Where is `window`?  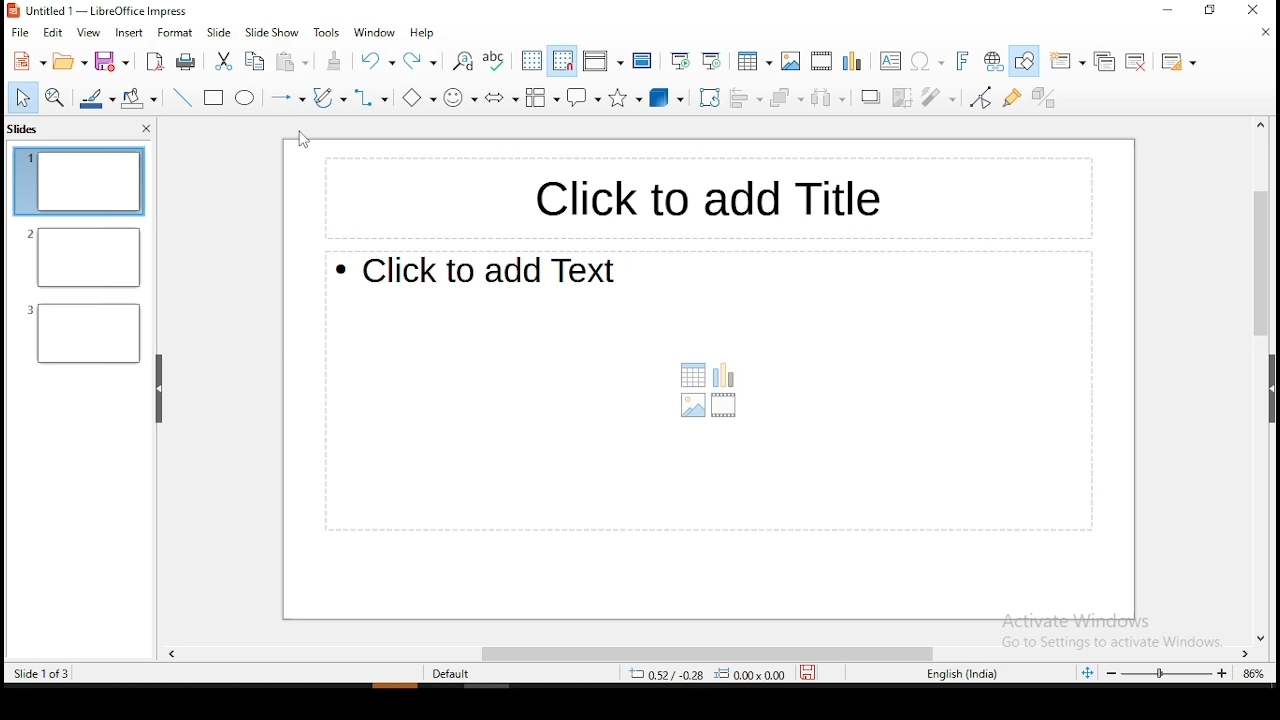 window is located at coordinates (376, 35).